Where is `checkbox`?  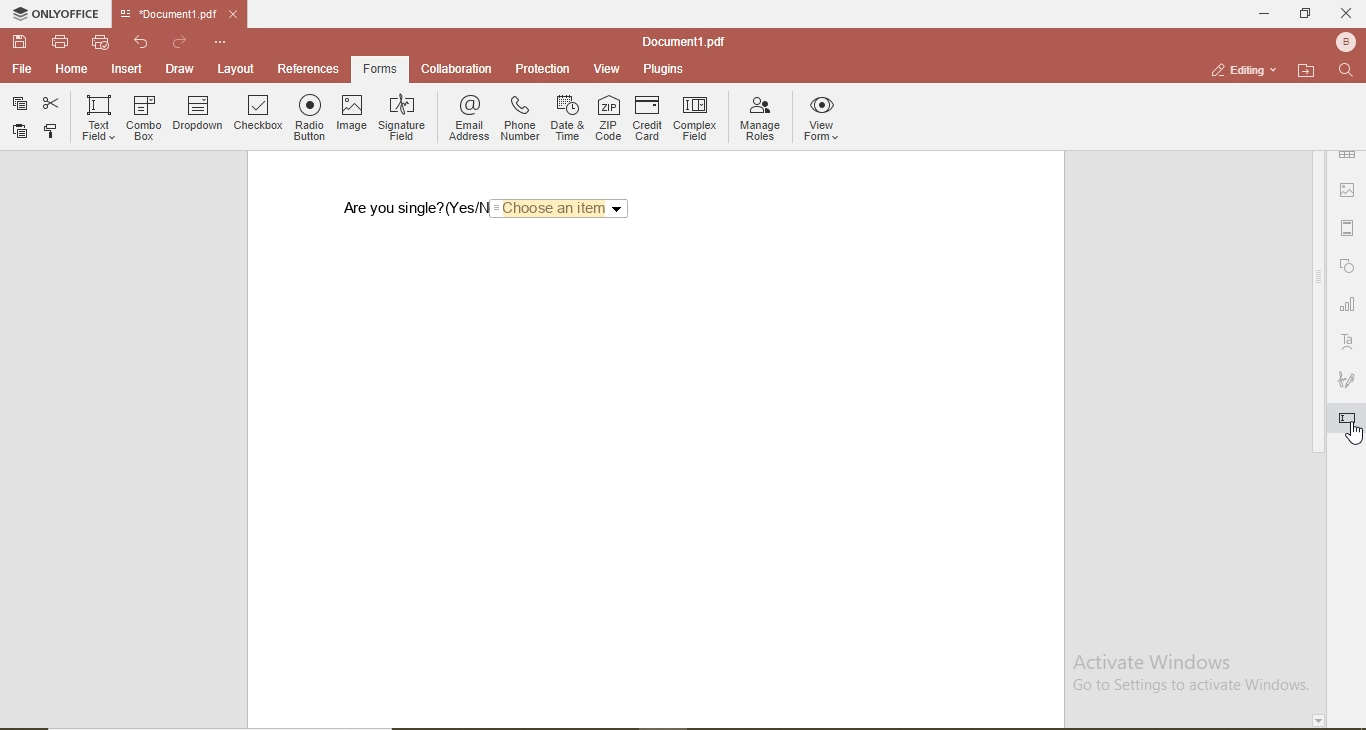
checkbox is located at coordinates (257, 115).